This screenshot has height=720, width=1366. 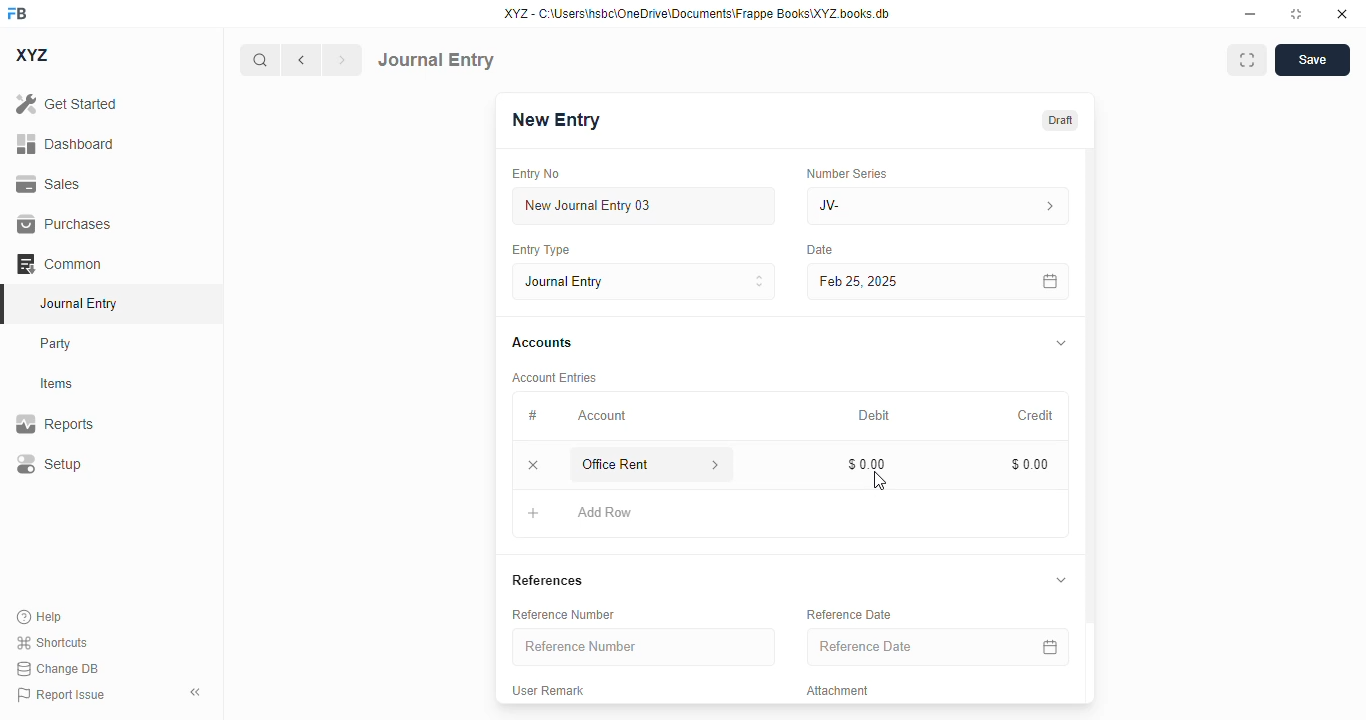 What do you see at coordinates (603, 512) in the screenshot?
I see `add row` at bounding box center [603, 512].